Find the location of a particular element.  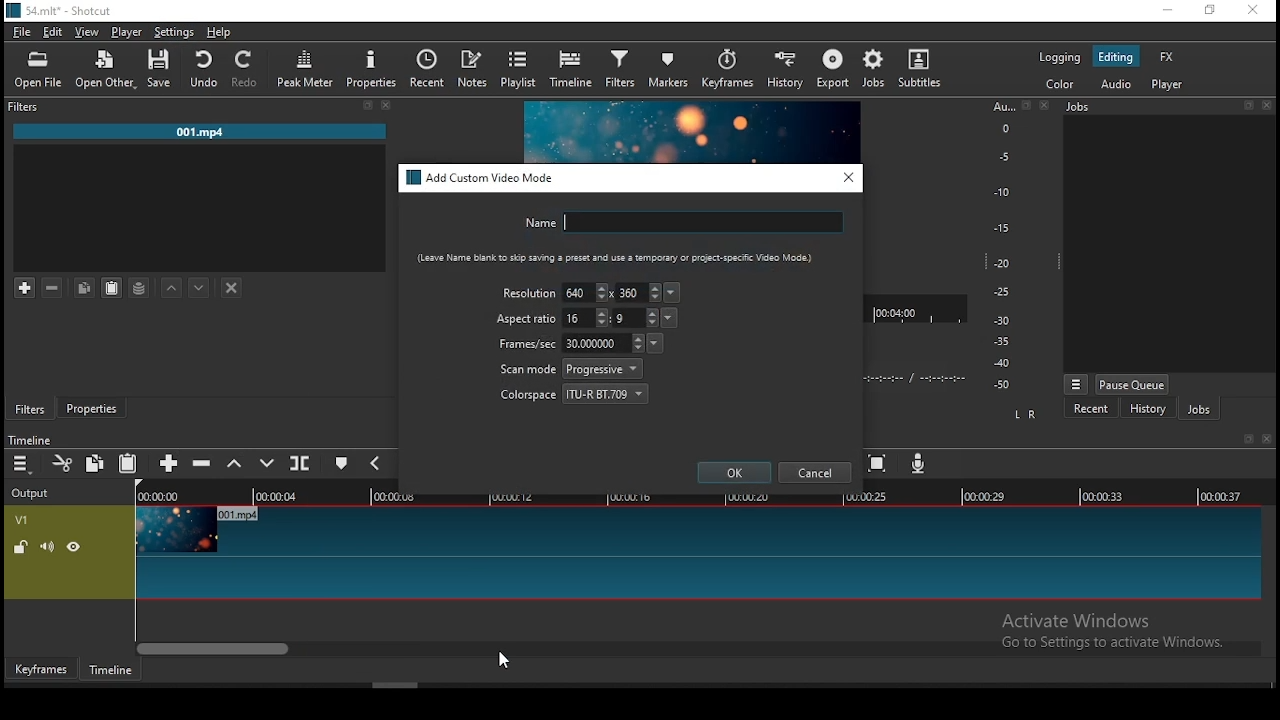

notes is located at coordinates (472, 69).